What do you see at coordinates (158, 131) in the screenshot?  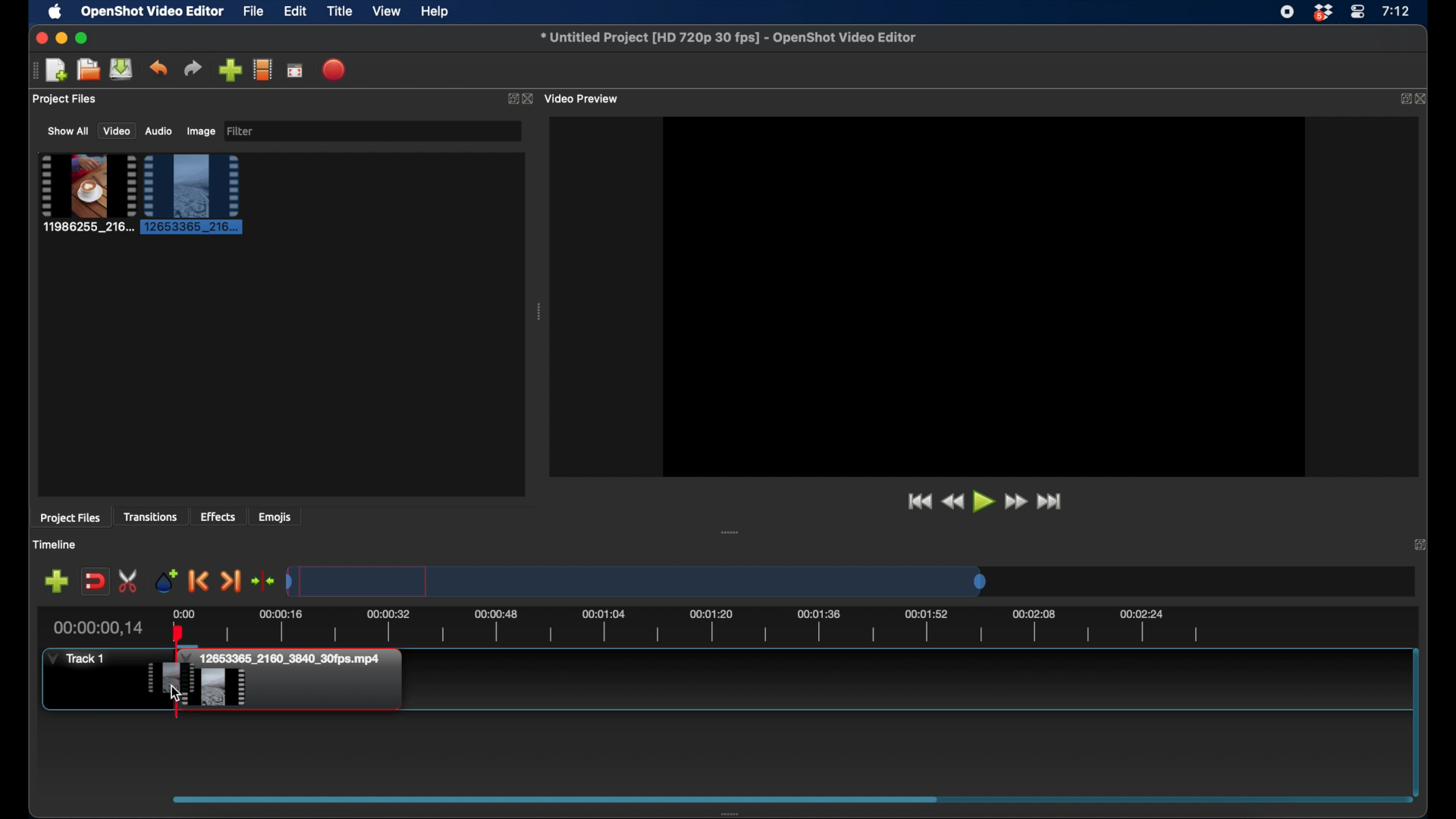 I see `audio` at bounding box center [158, 131].